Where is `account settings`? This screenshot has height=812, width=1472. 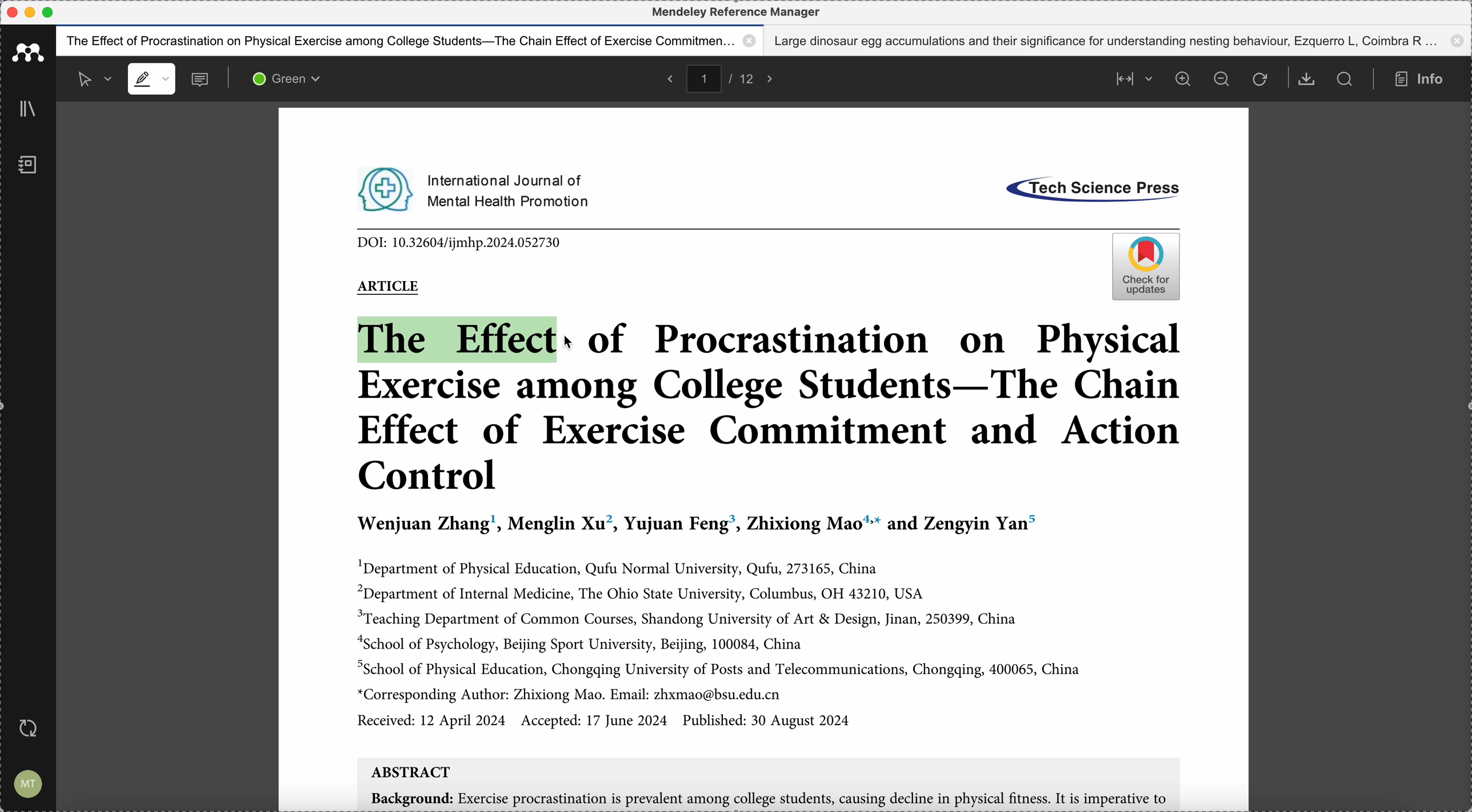 account settings is located at coordinates (29, 782).